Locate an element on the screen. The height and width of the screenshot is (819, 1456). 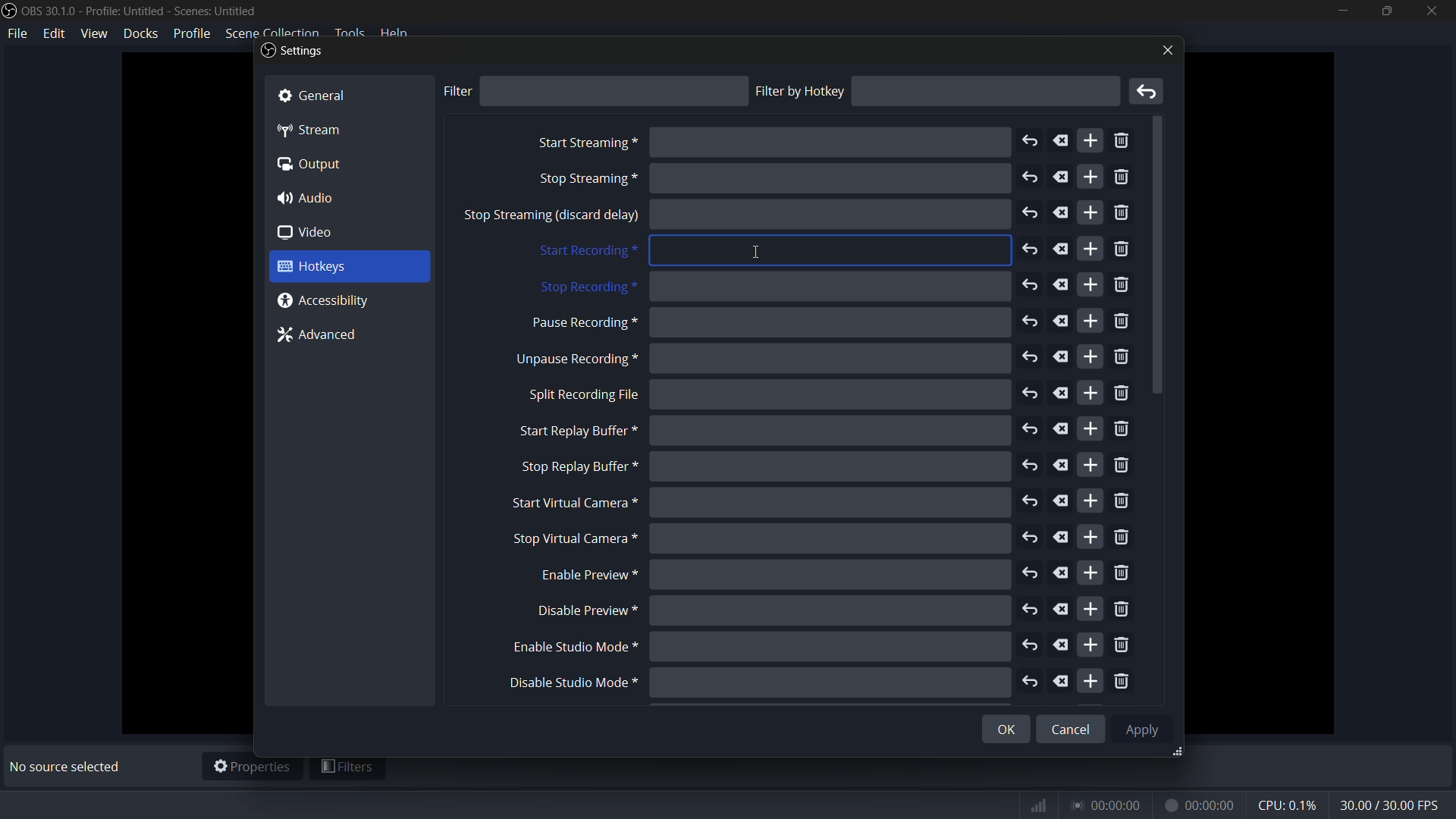
add more is located at coordinates (1092, 536).